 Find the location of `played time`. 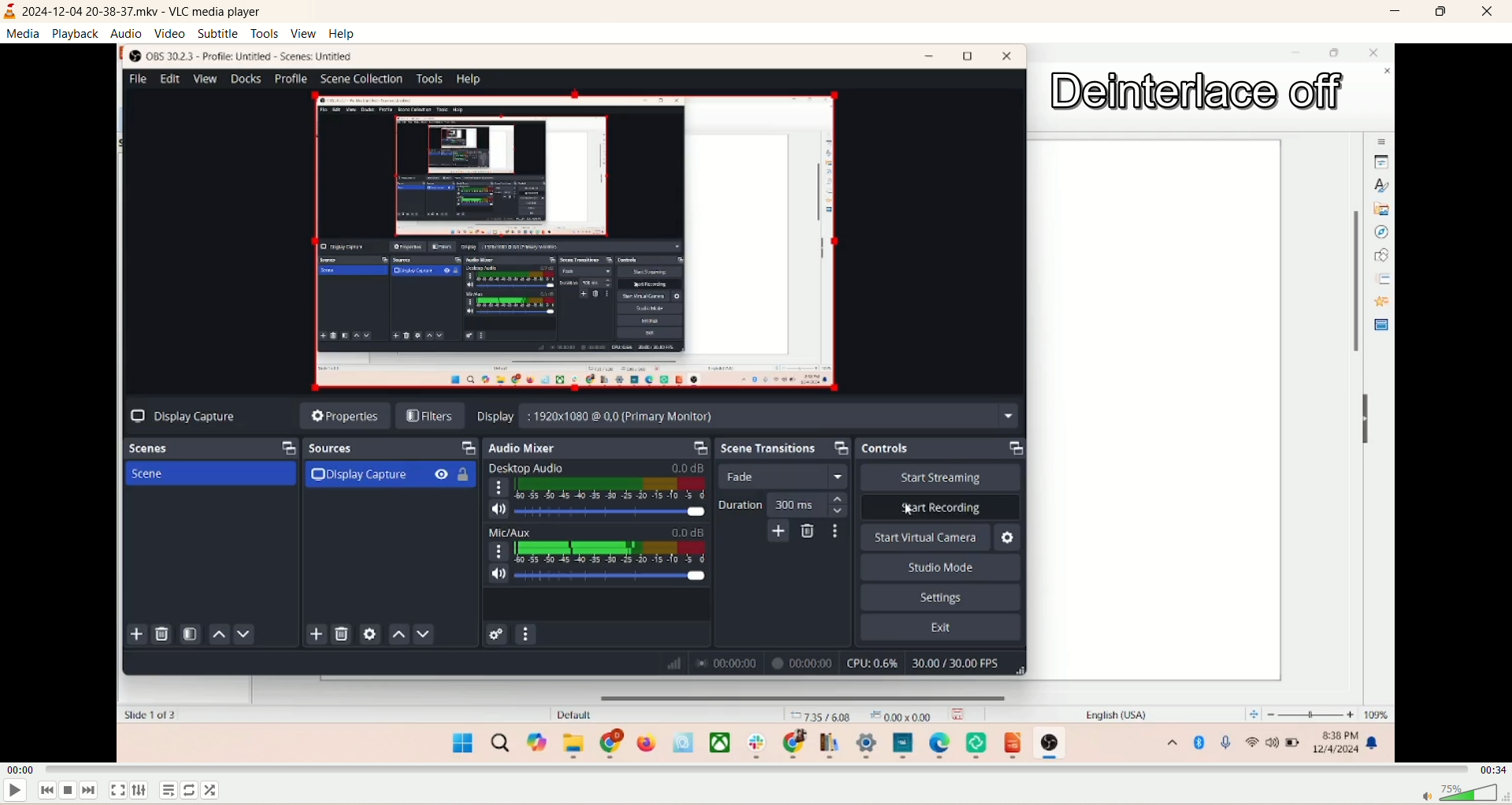

played time is located at coordinates (22, 771).